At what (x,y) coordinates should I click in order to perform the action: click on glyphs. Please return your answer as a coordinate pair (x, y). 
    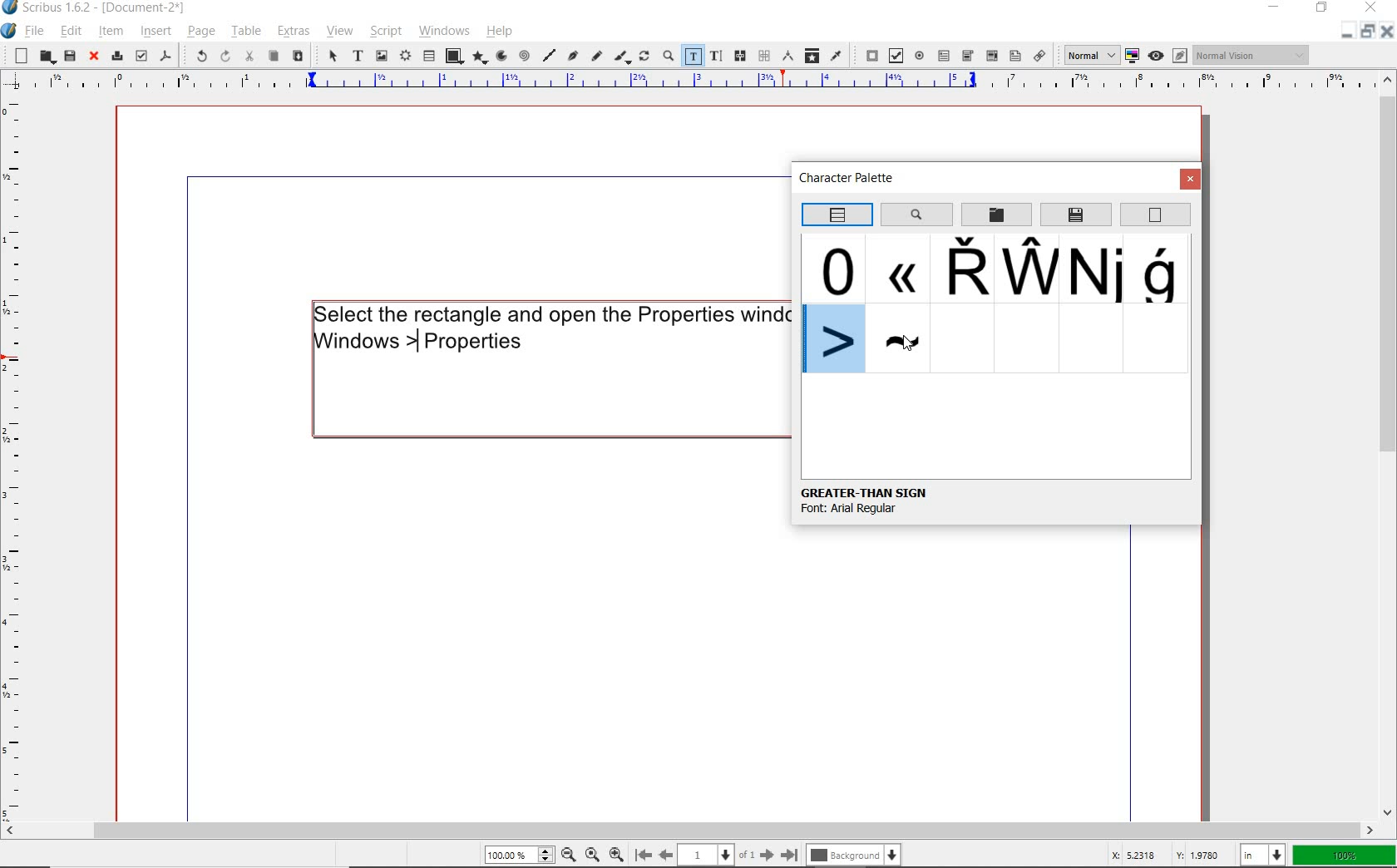
    Looking at the image, I should click on (897, 267).